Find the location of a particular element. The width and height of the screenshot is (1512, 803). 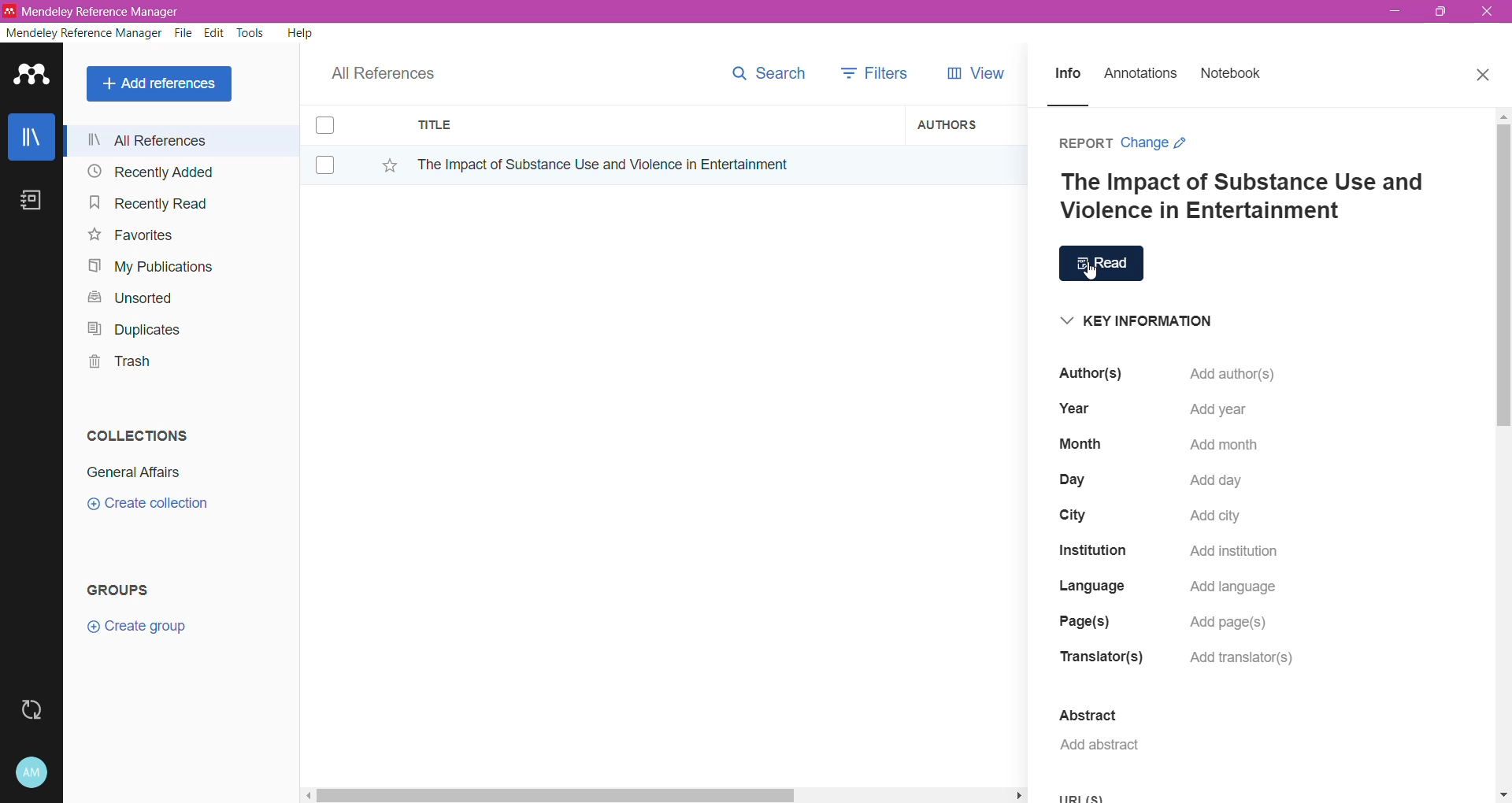

Account and Help is located at coordinates (31, 773).